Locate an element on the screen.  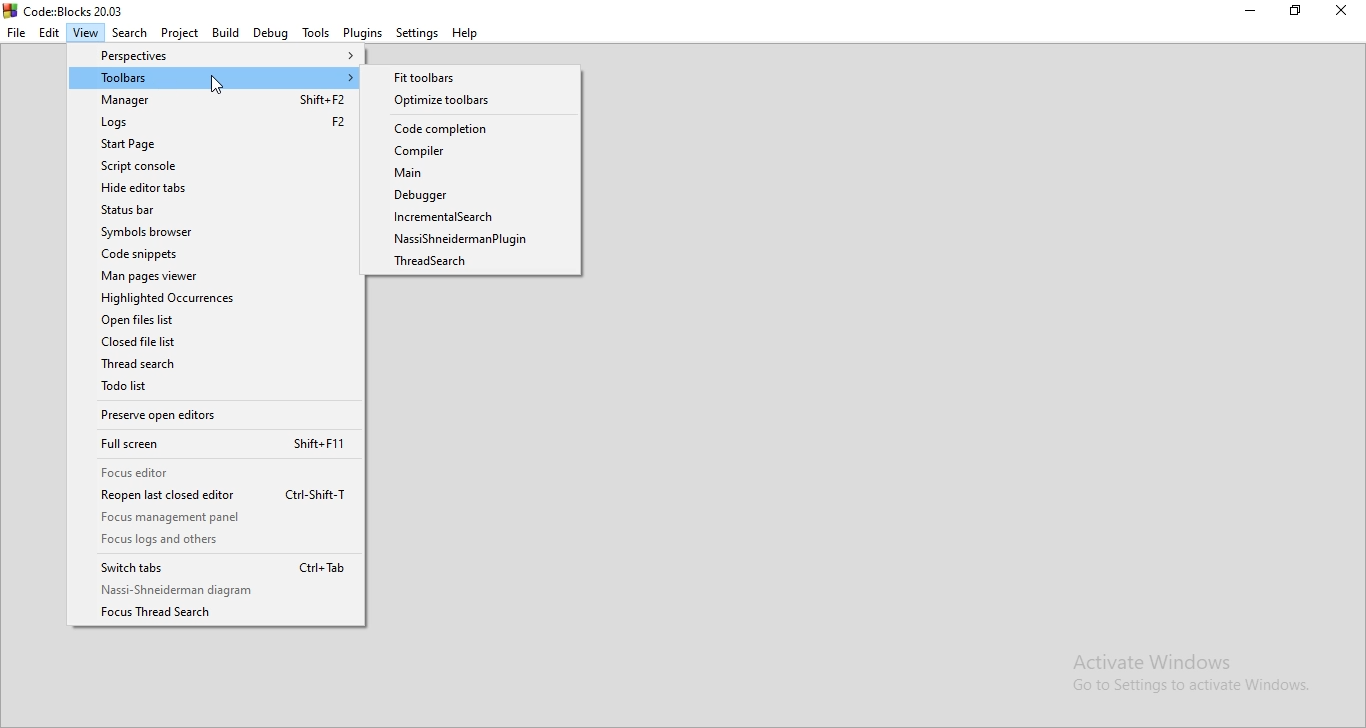
Project  is located at coordinates (180, 34).